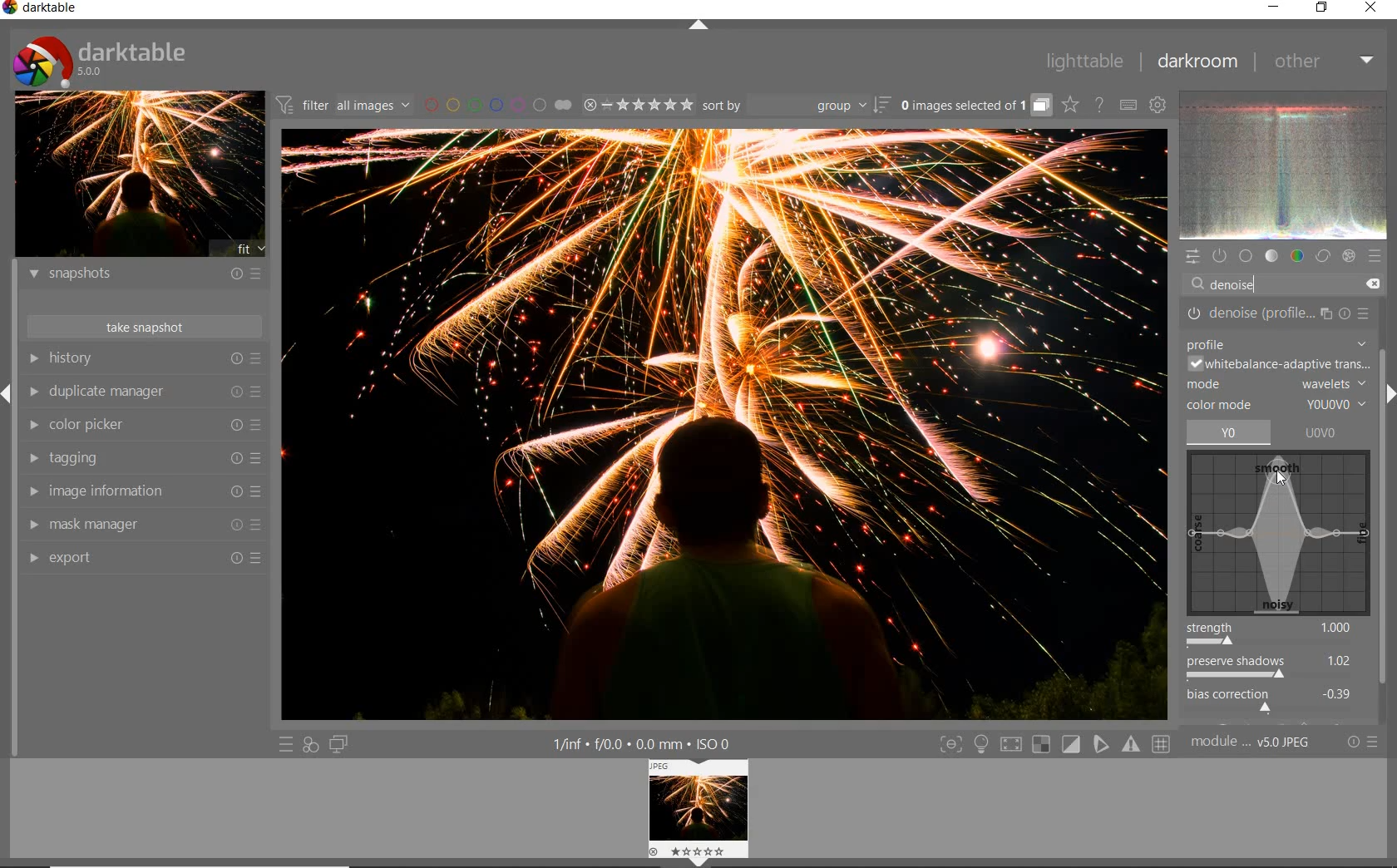 This screenshot has width=1397, height=868. What do you see at coordinates (1230, 432) in the screenshot?
I see `yo` at bounding box center [1230, 432].